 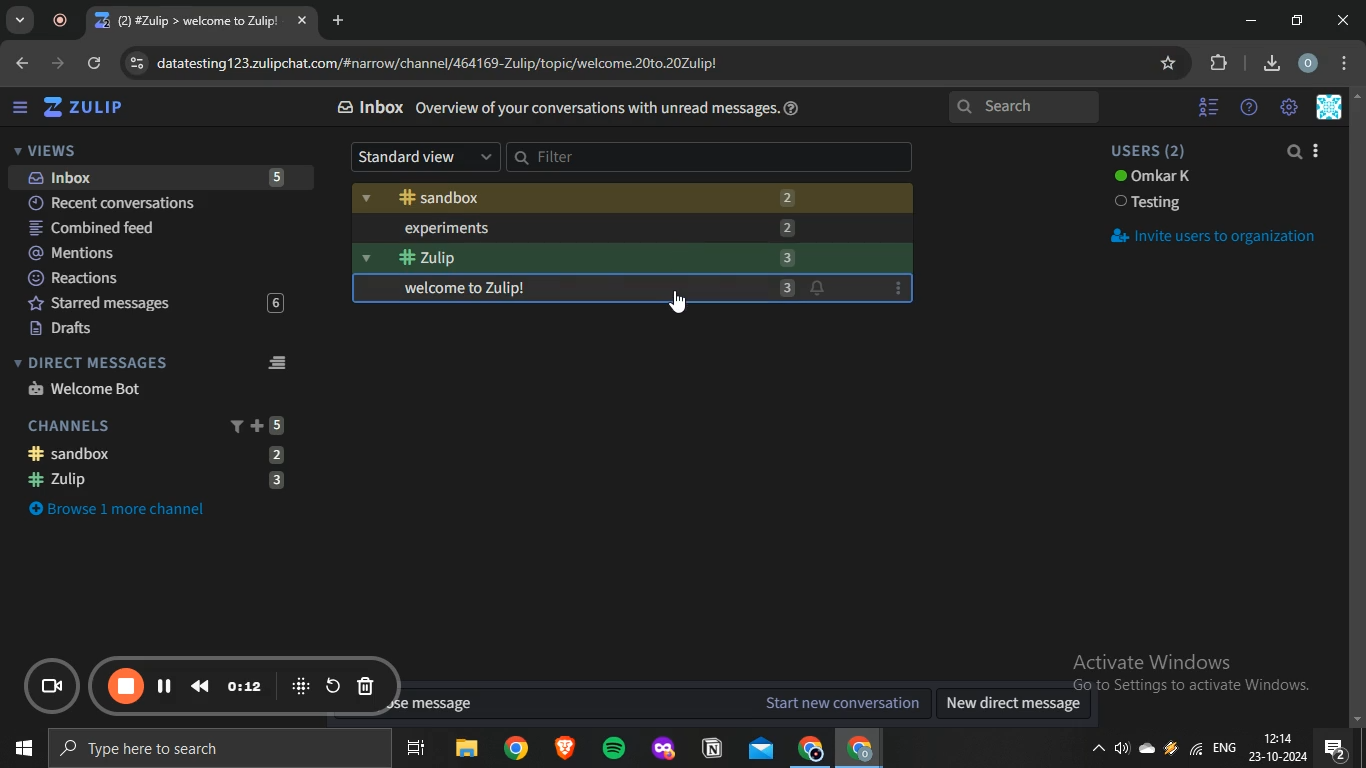 I want to click on icon, so click(x=301, y=685).